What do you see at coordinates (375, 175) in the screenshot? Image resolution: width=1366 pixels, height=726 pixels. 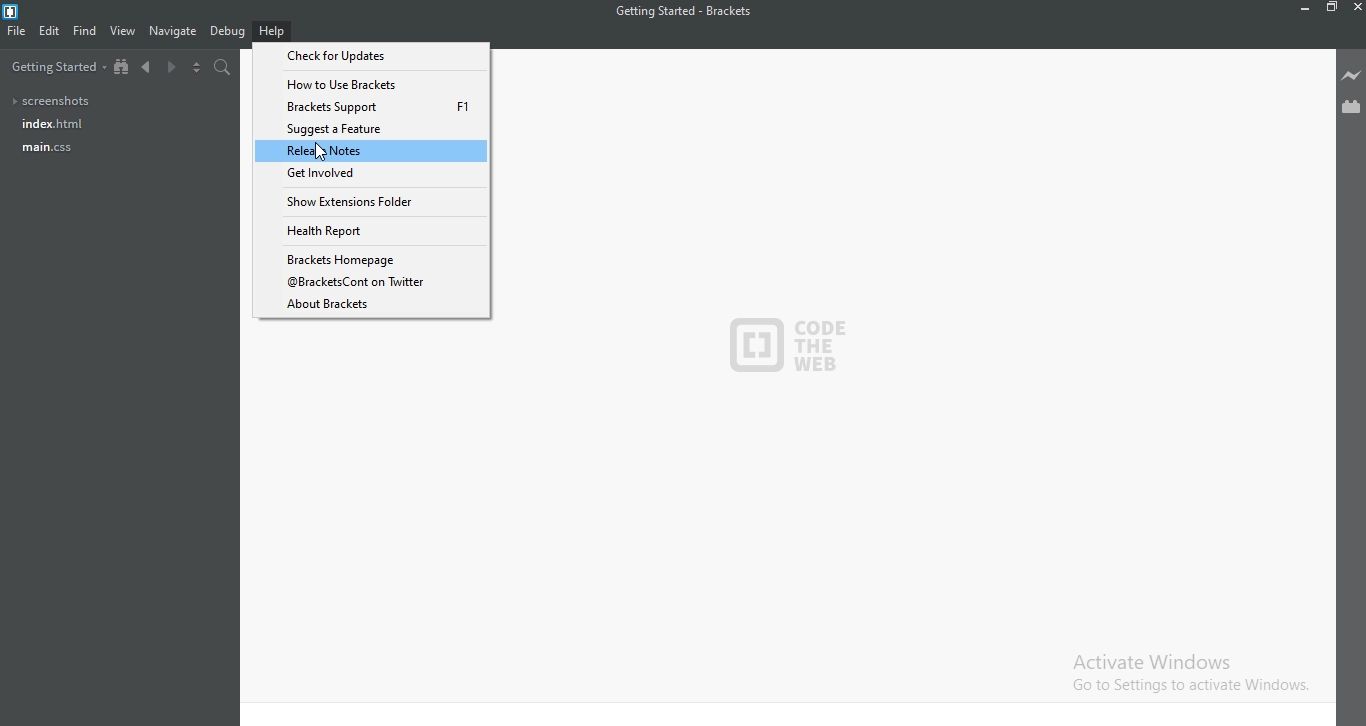 I see `Get Involved` at bounding box center [375, 175].